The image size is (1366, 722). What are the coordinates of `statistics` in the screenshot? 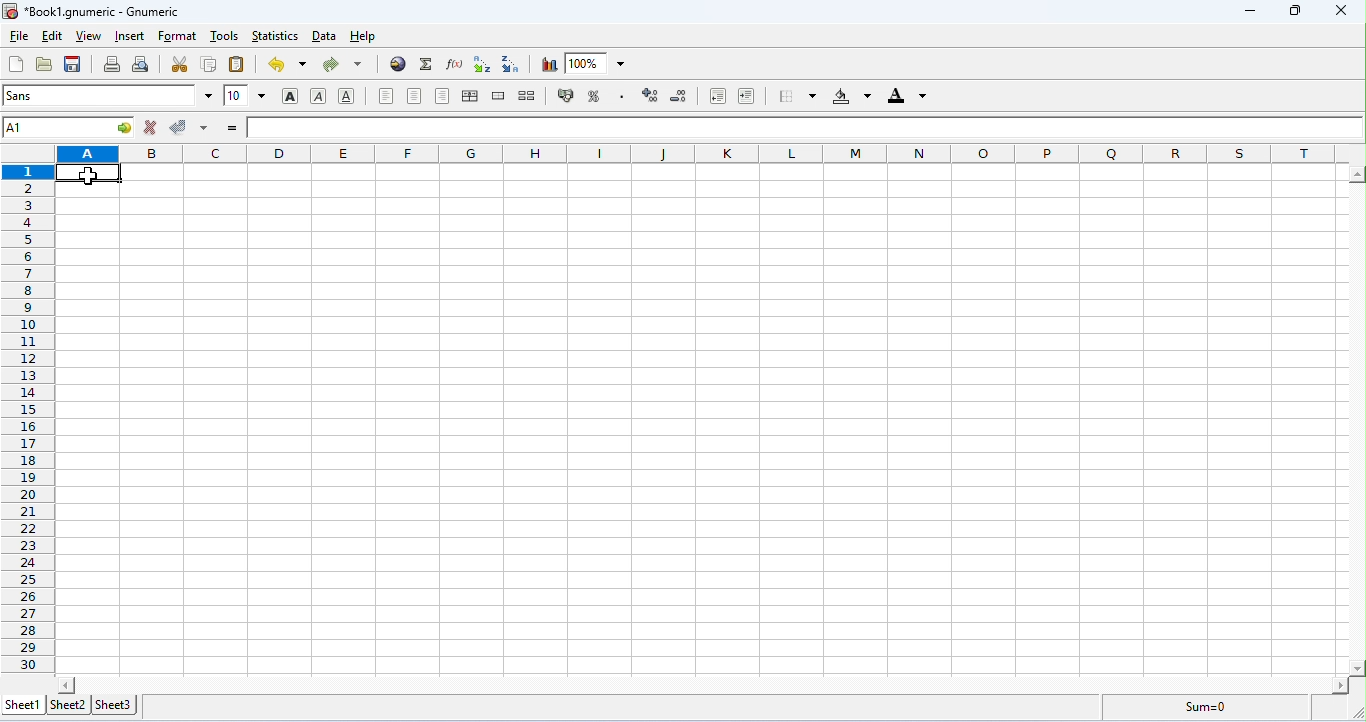 It's located at (274, 35).